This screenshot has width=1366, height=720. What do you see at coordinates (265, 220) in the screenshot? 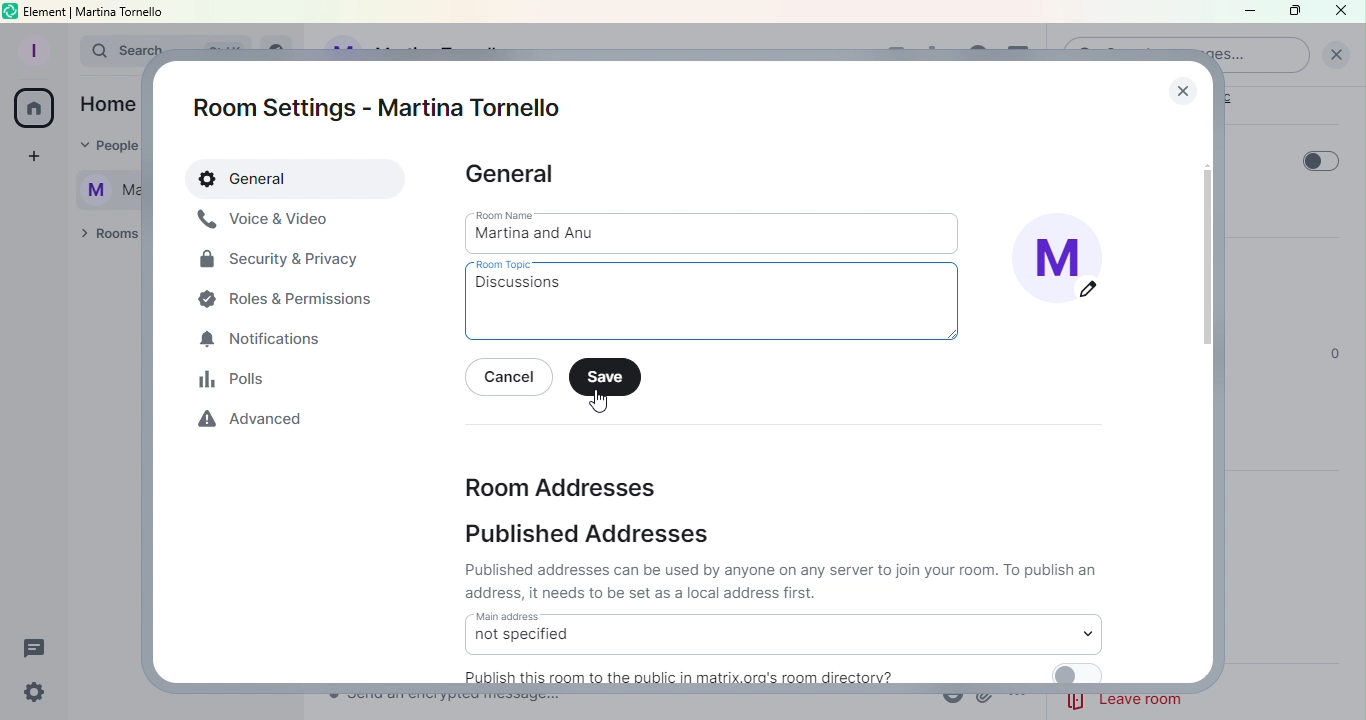
I see `Voice and video` at bounding box center [265, 220].